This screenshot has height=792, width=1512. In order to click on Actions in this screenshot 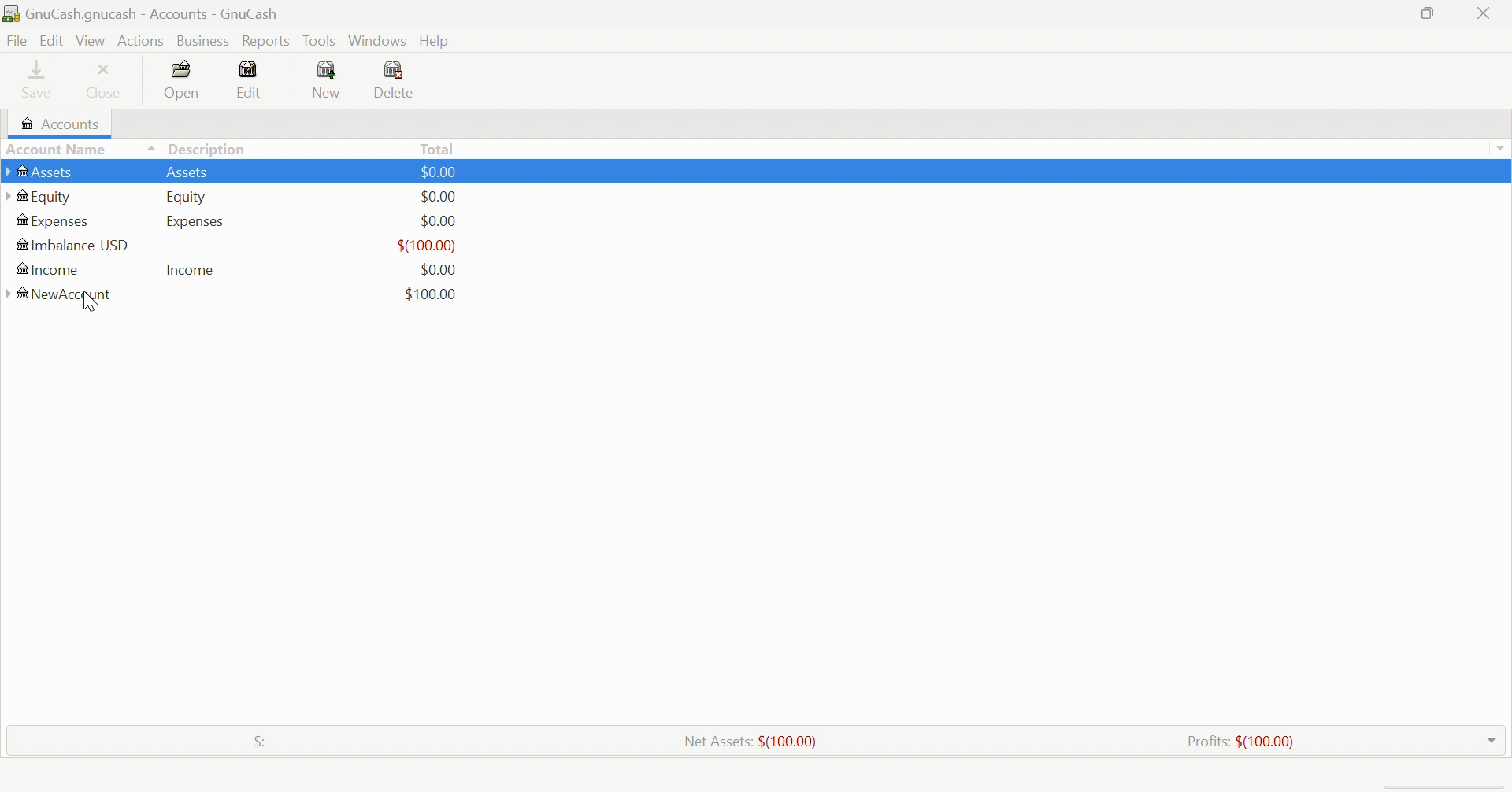, I will do `click(140, 42)`.